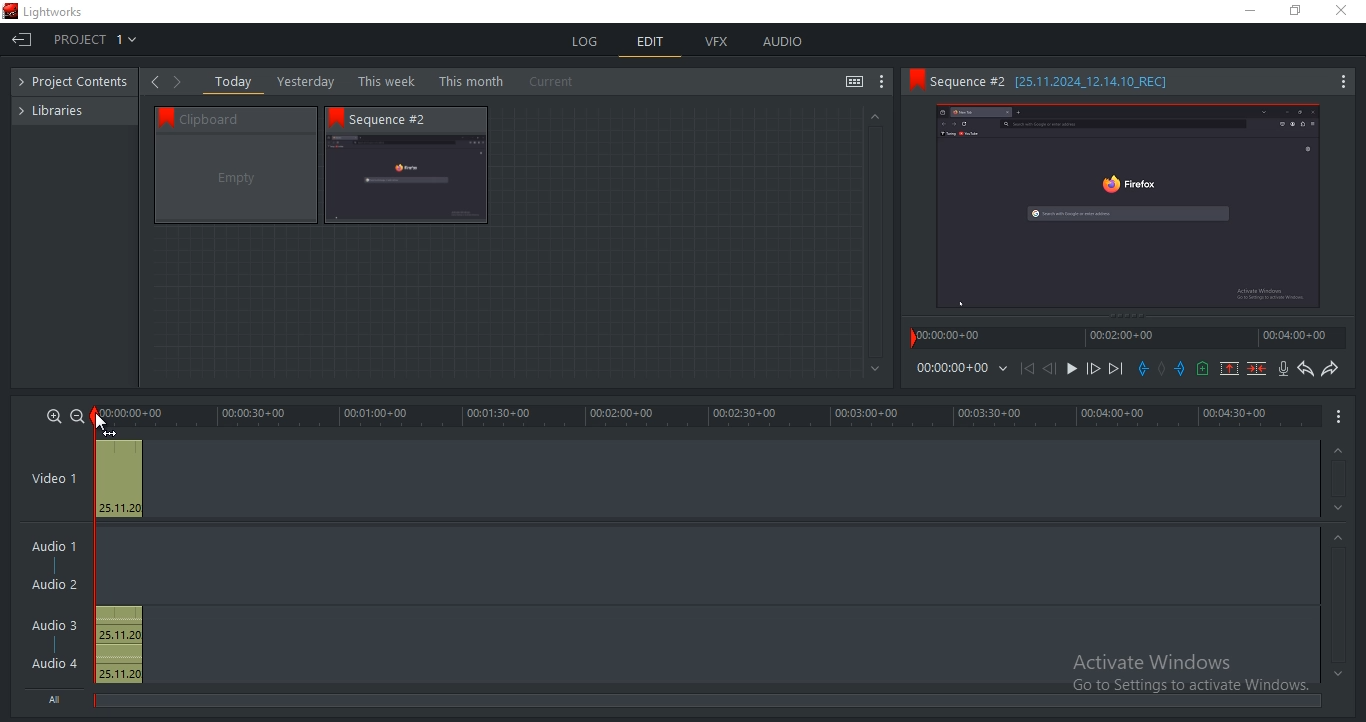  I want to click on Pointer cursor, so click(103, 422).